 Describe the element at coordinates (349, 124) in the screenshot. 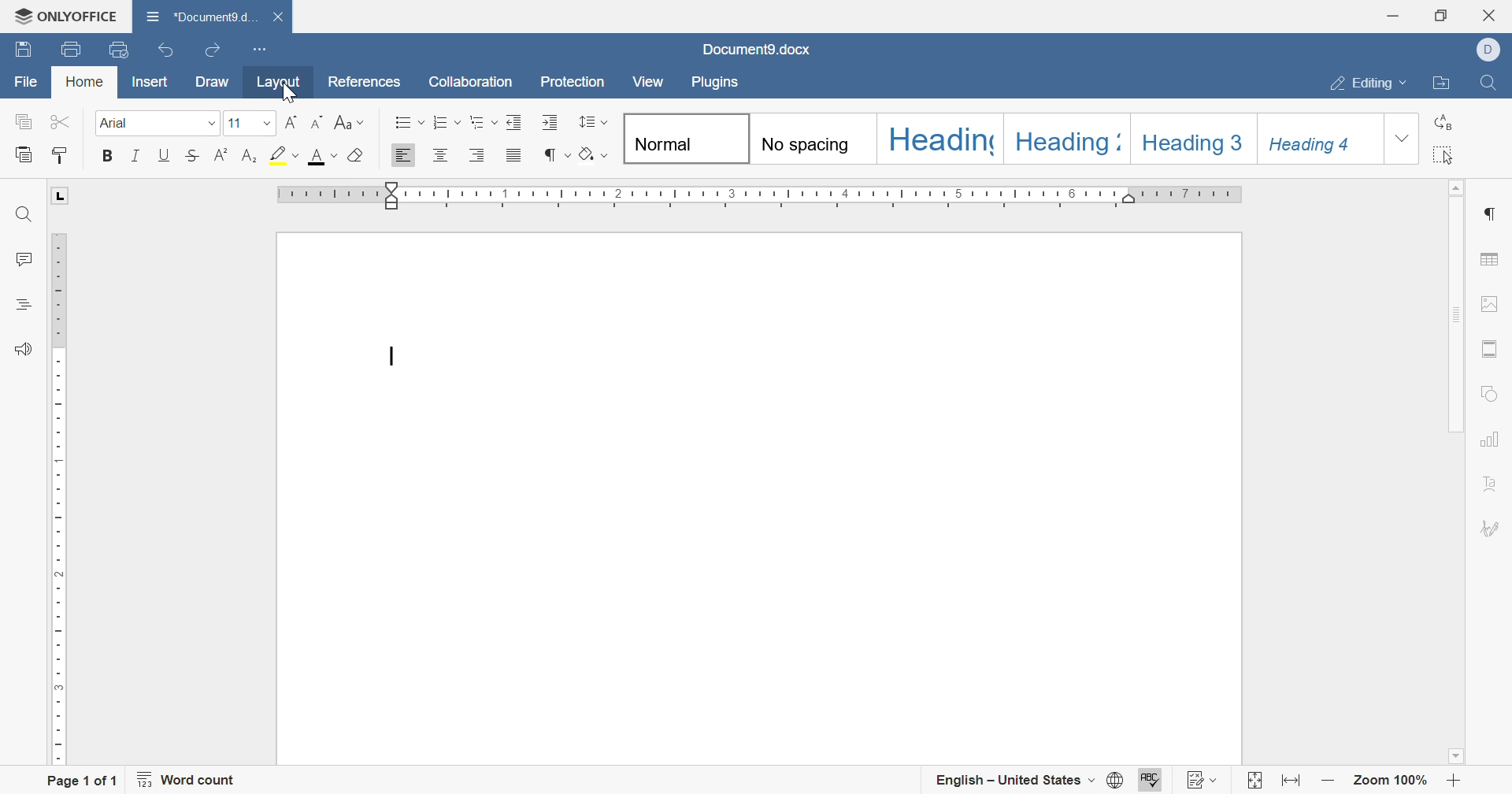

I see `change case` at that location.